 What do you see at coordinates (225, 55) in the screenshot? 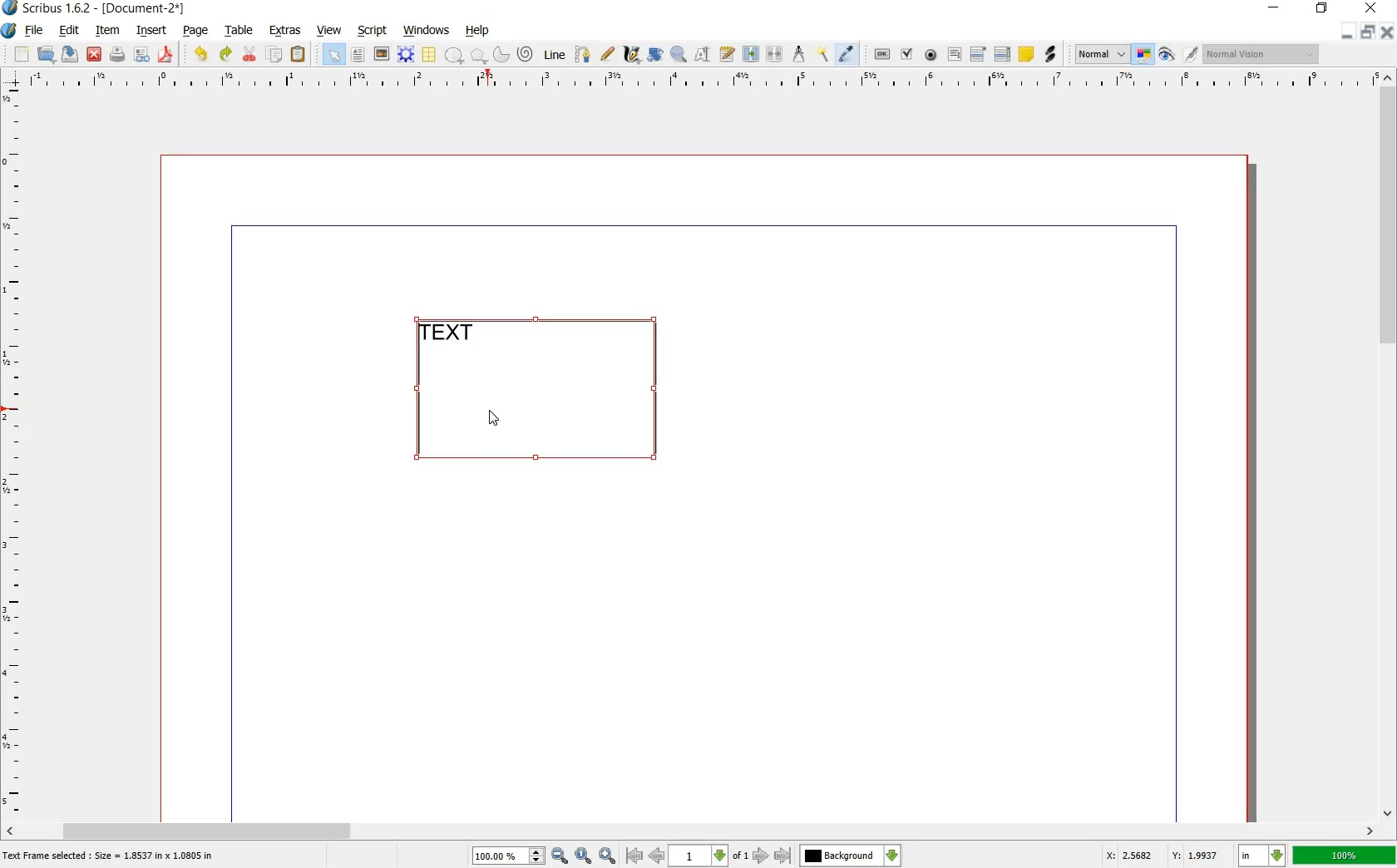
I see `redo` at bounding box center [225, 55].